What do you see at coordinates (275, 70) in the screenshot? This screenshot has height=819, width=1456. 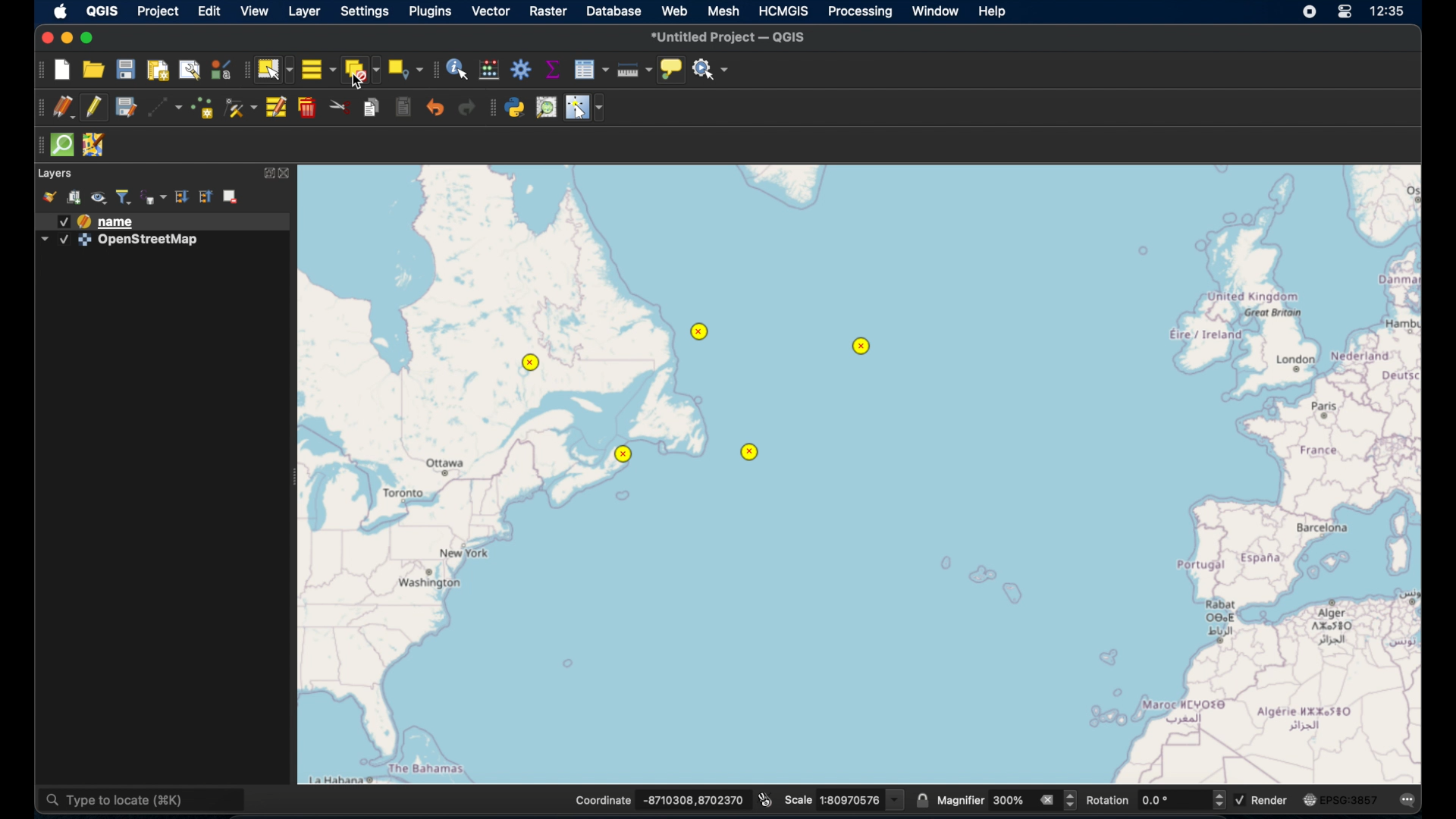 I see `select features by area or single click` at bounding box center [275, 70].